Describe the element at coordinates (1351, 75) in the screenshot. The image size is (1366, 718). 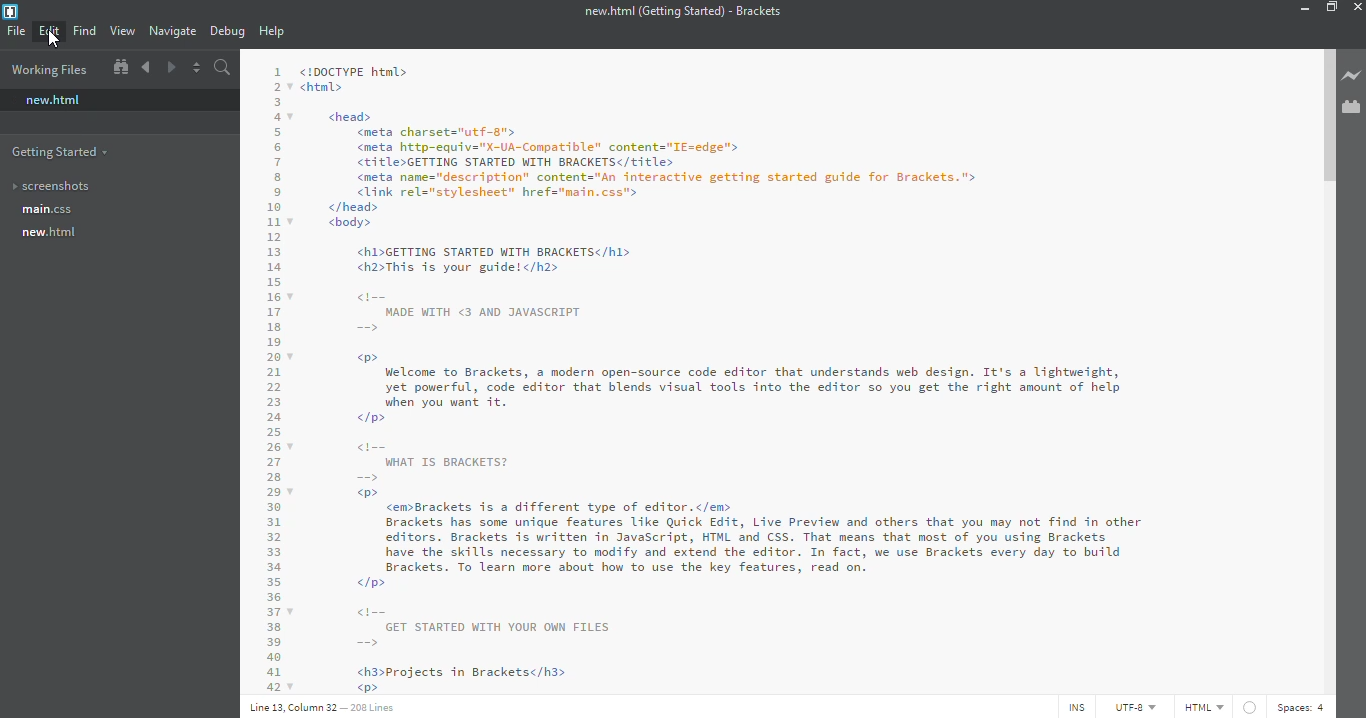
I see `live preview` at that location.